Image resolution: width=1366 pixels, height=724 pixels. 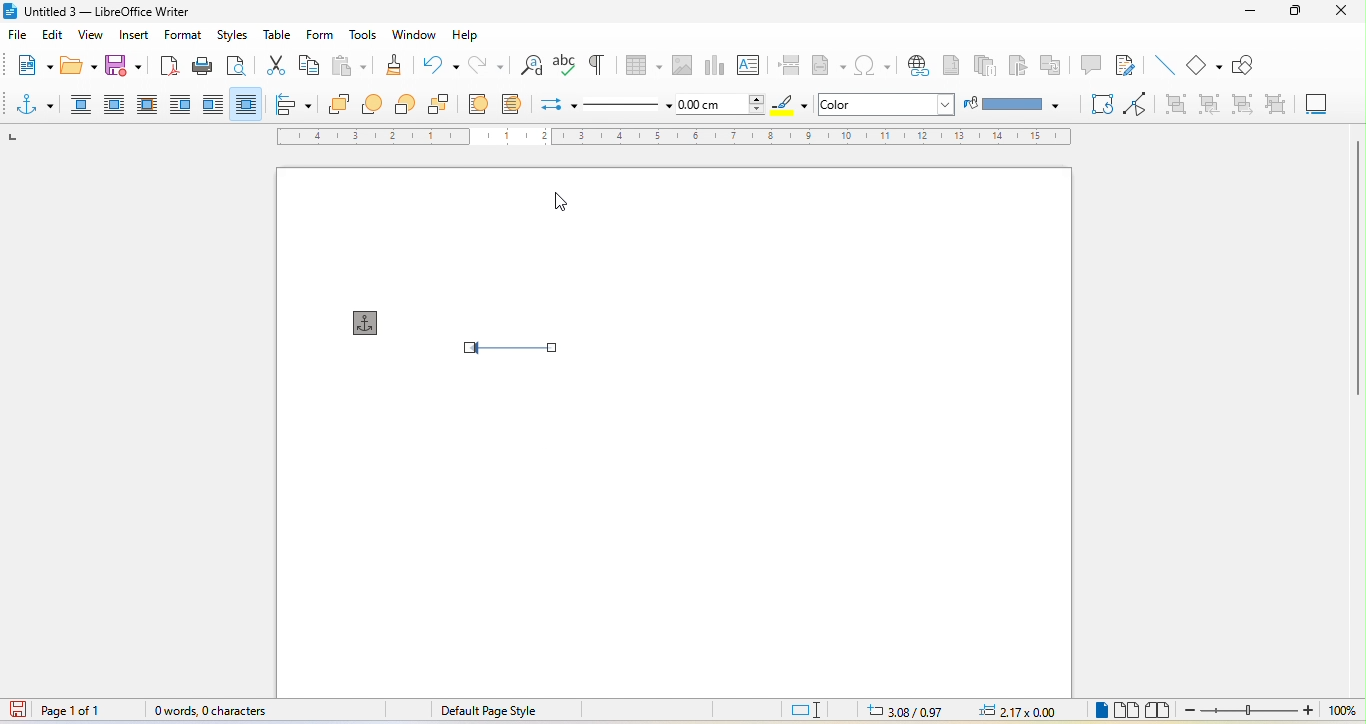 I want to click on undo, so click(x=439, y=62).